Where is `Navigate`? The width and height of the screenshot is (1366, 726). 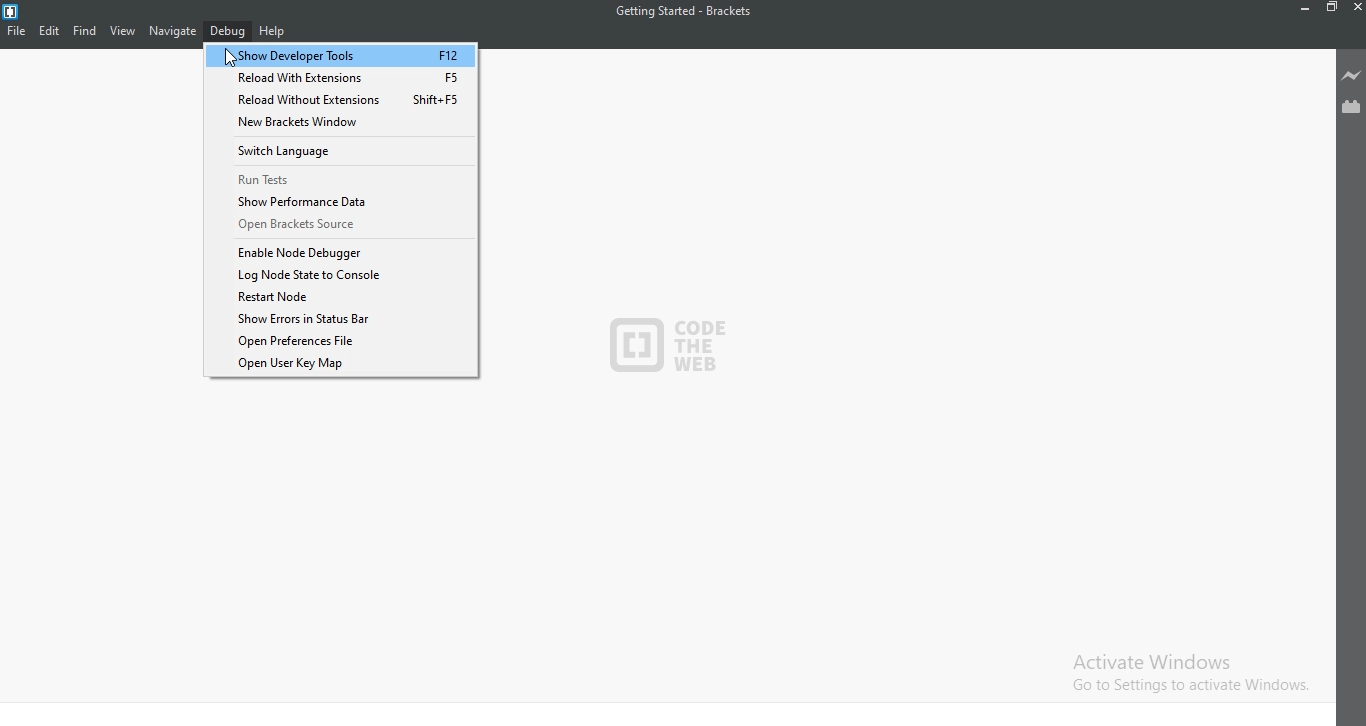
Navigate is located at coordinates (173, 32).